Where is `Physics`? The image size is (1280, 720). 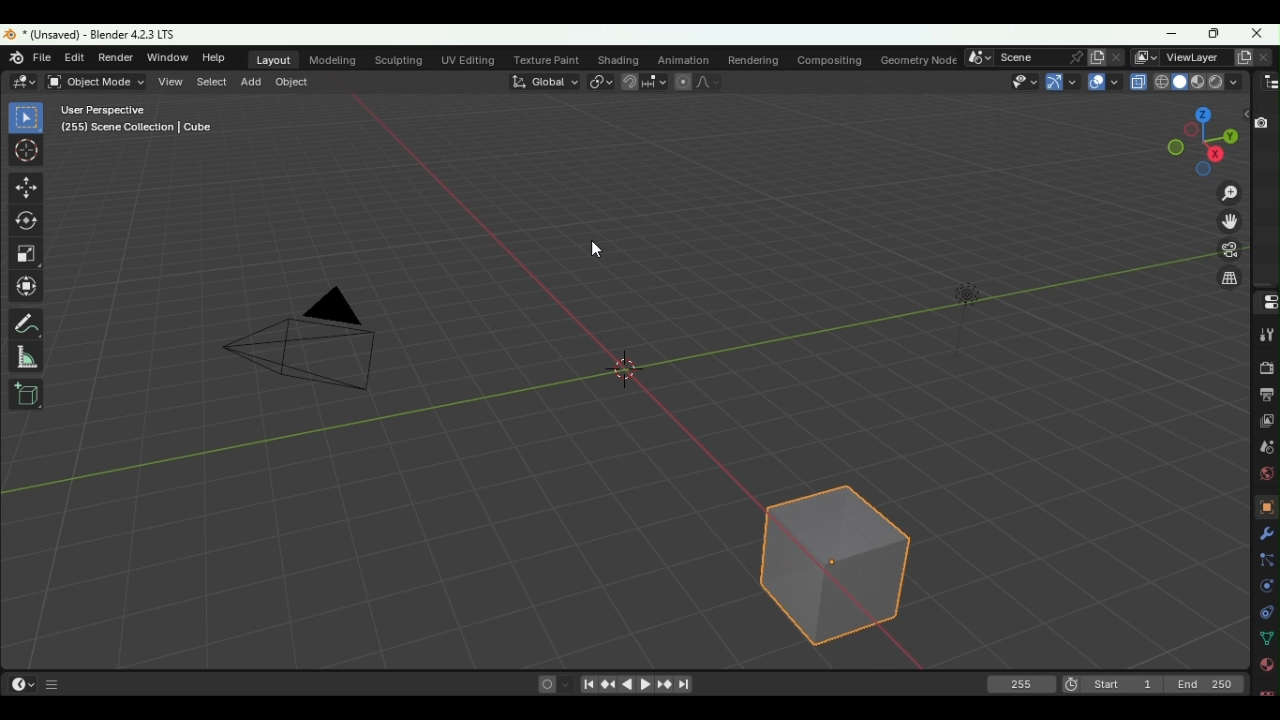
Physics is located at coordinates (1268, 588).